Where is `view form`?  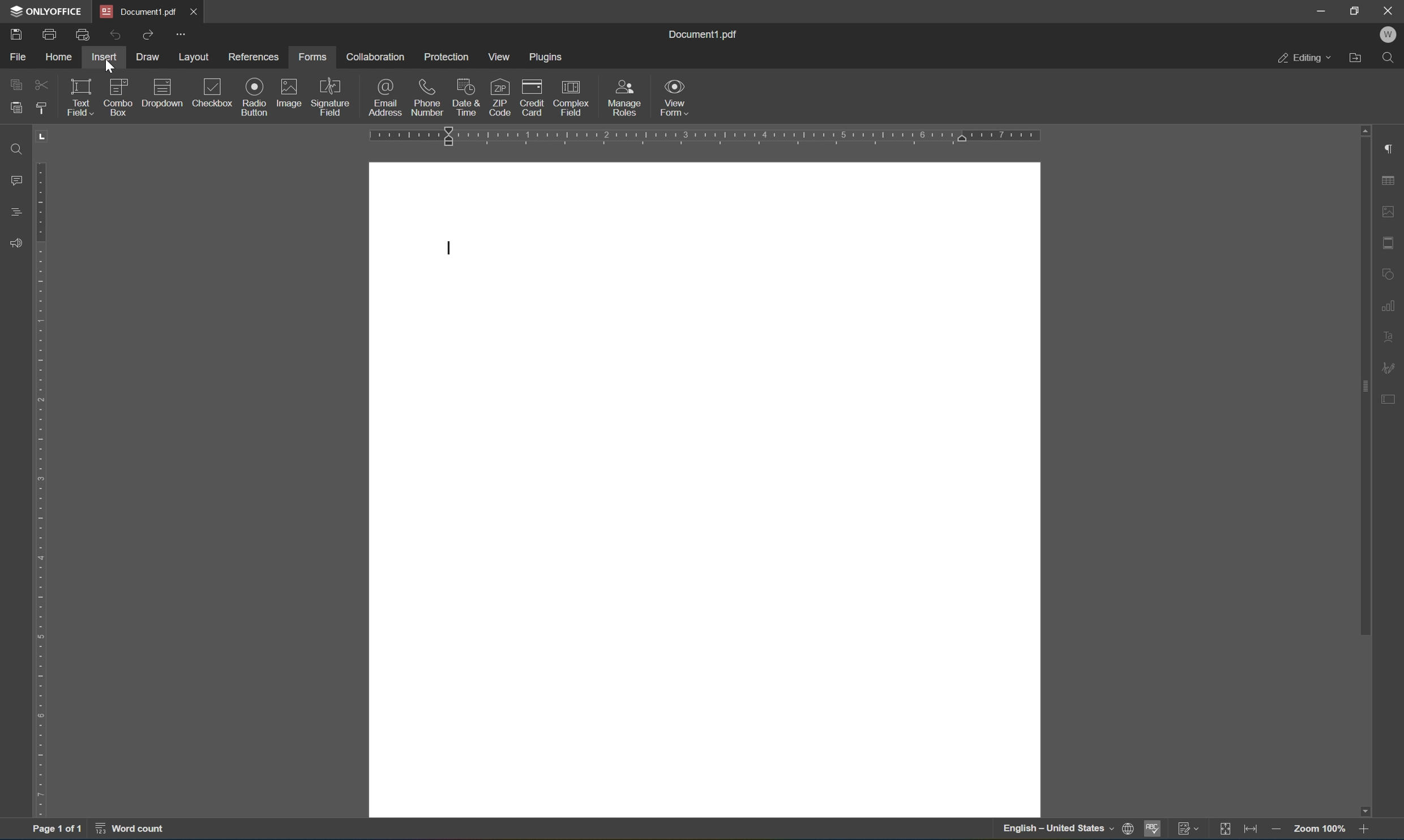 view form is located at coordinates (676, 98).